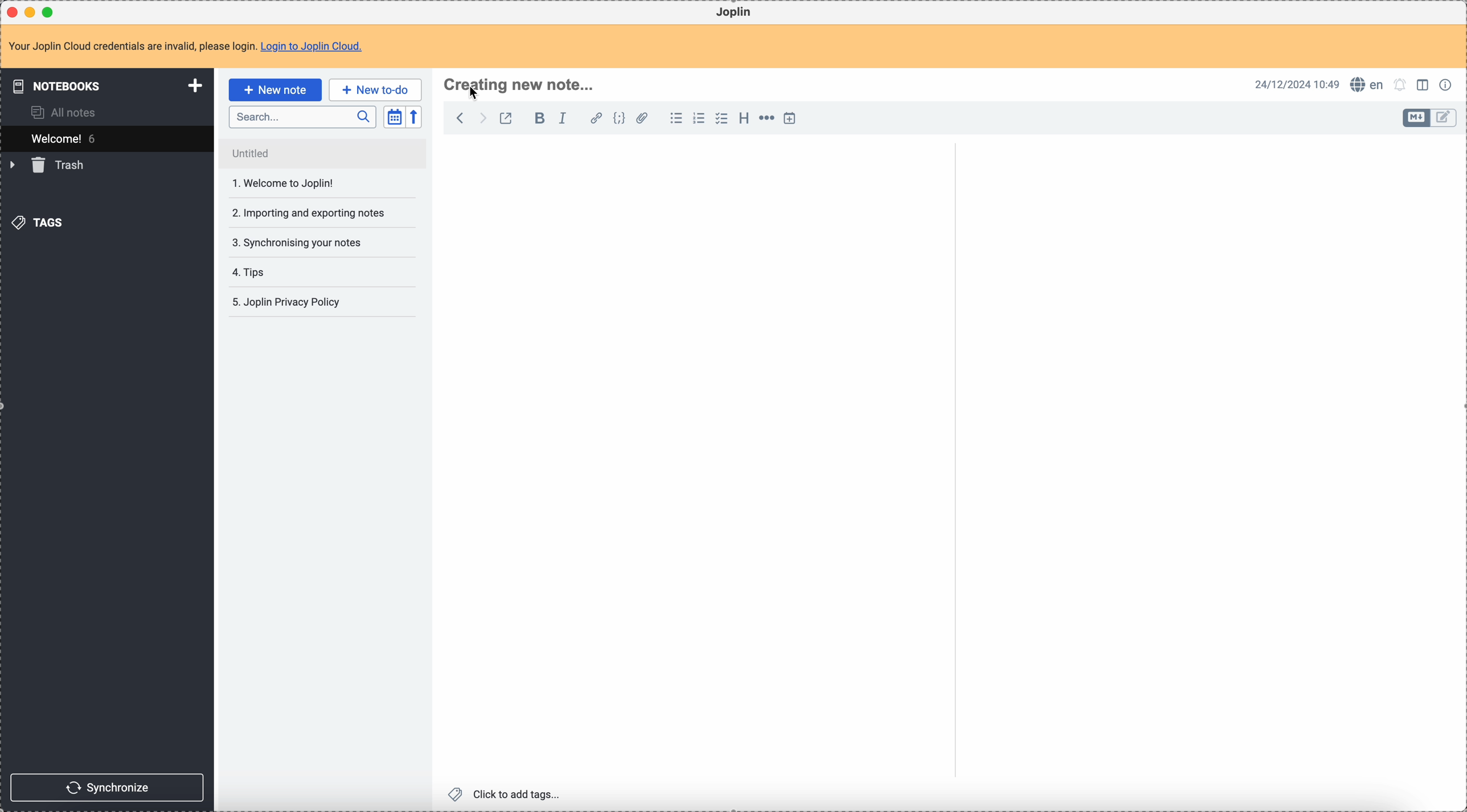 The image size is (1467, 812). What do you see at coordinates (284, 272) in the screenshot?
I see `tips` at bounding box center [284, 272].